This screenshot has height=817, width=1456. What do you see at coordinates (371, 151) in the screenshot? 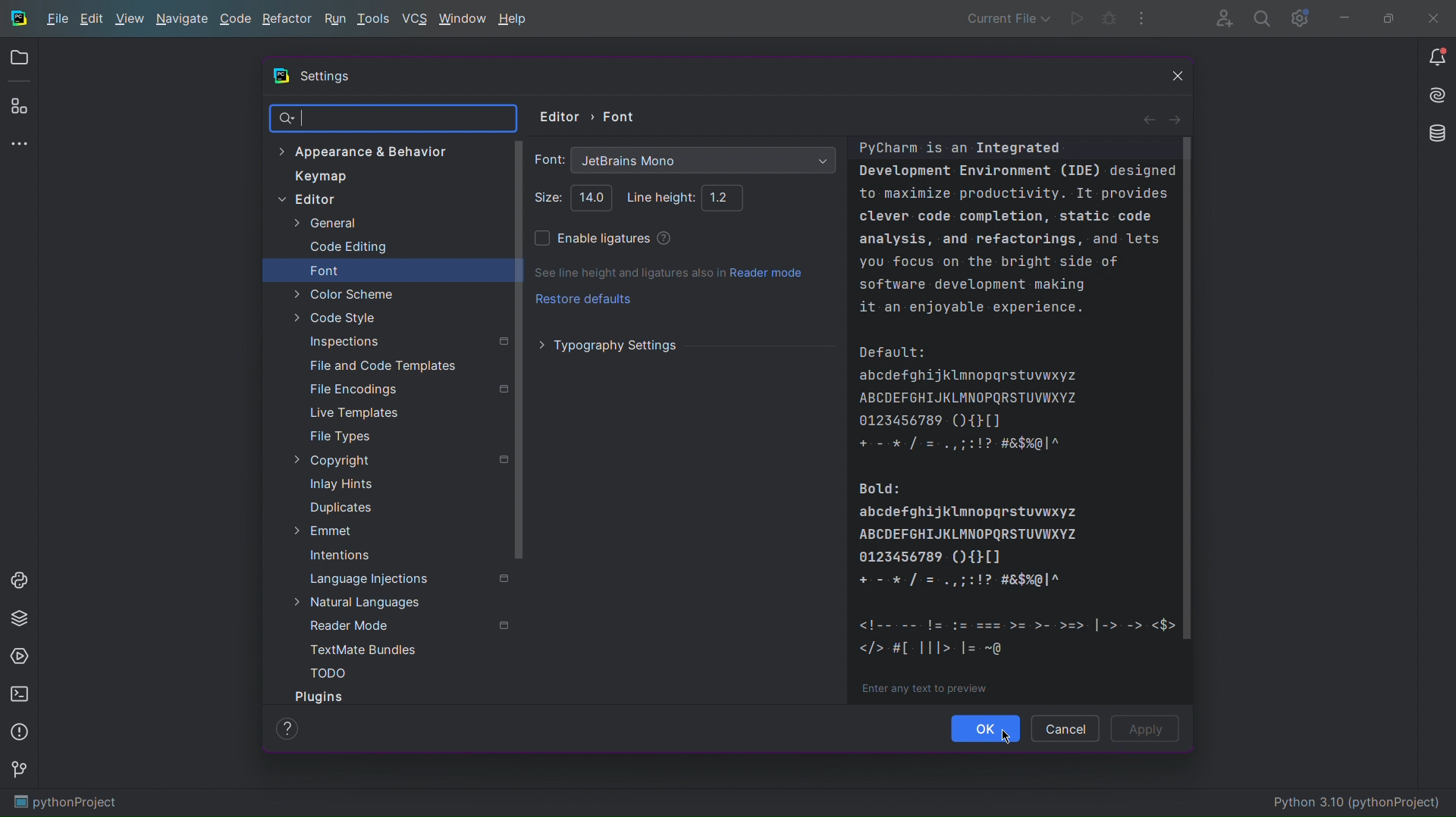
I see `Appearance & Behavior` at bounding box center [371, 151].